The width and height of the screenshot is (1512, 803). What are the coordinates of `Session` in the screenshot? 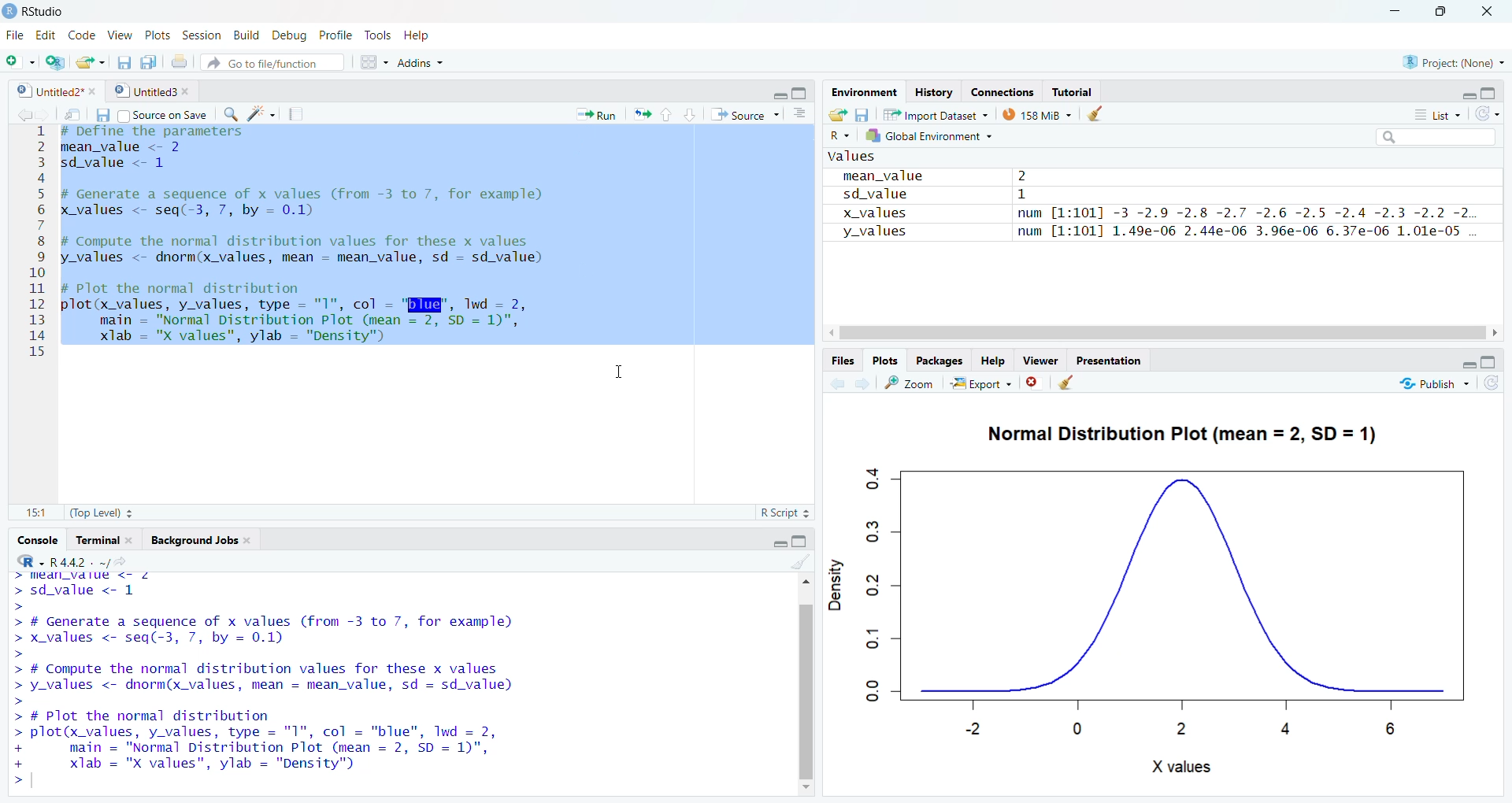 It's located at (198, 34).